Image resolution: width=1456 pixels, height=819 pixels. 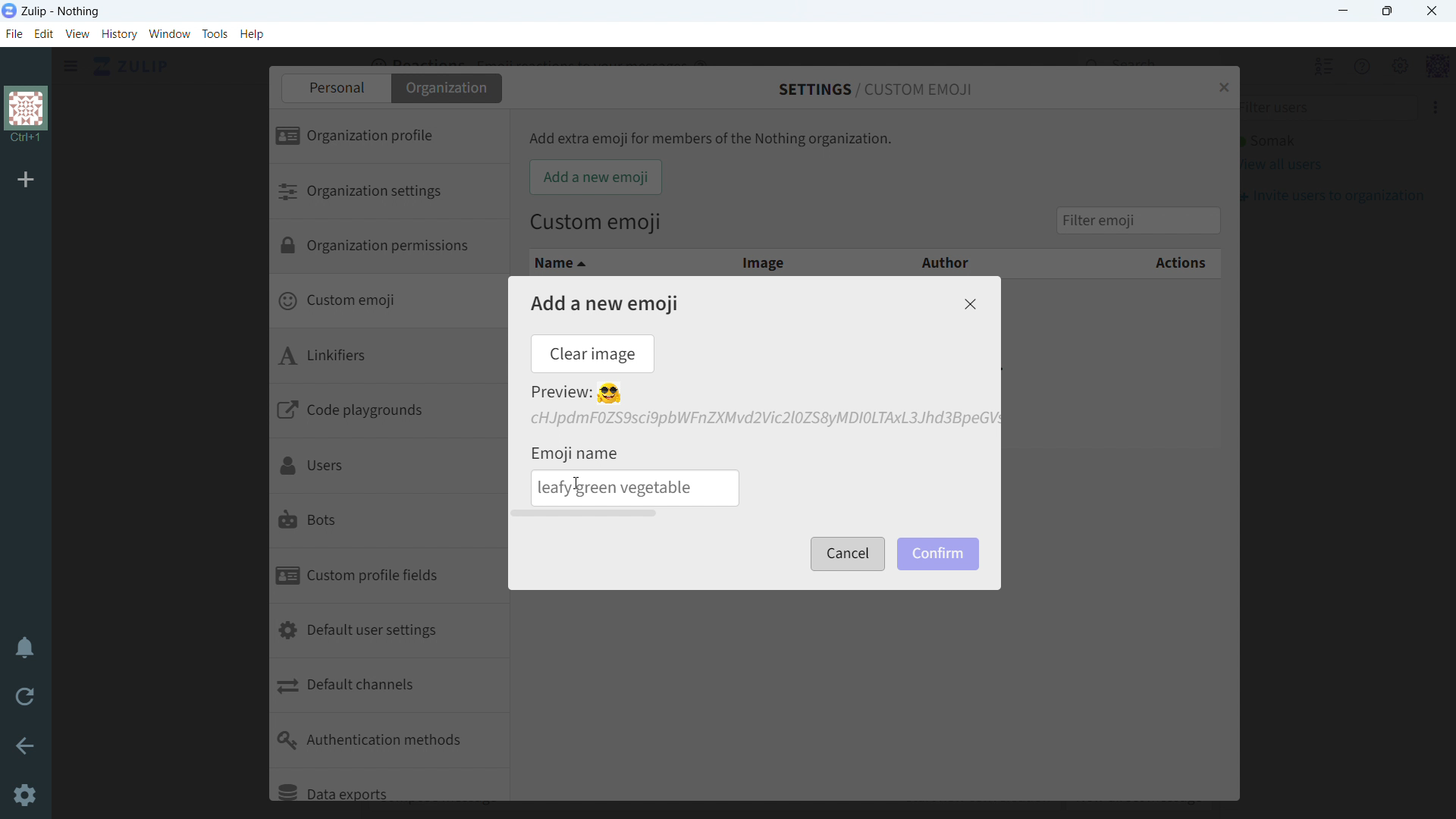 What do you see at coordinates (578, 485) in the screenshot?
I see `cursor` at bounding box center [578, 485].